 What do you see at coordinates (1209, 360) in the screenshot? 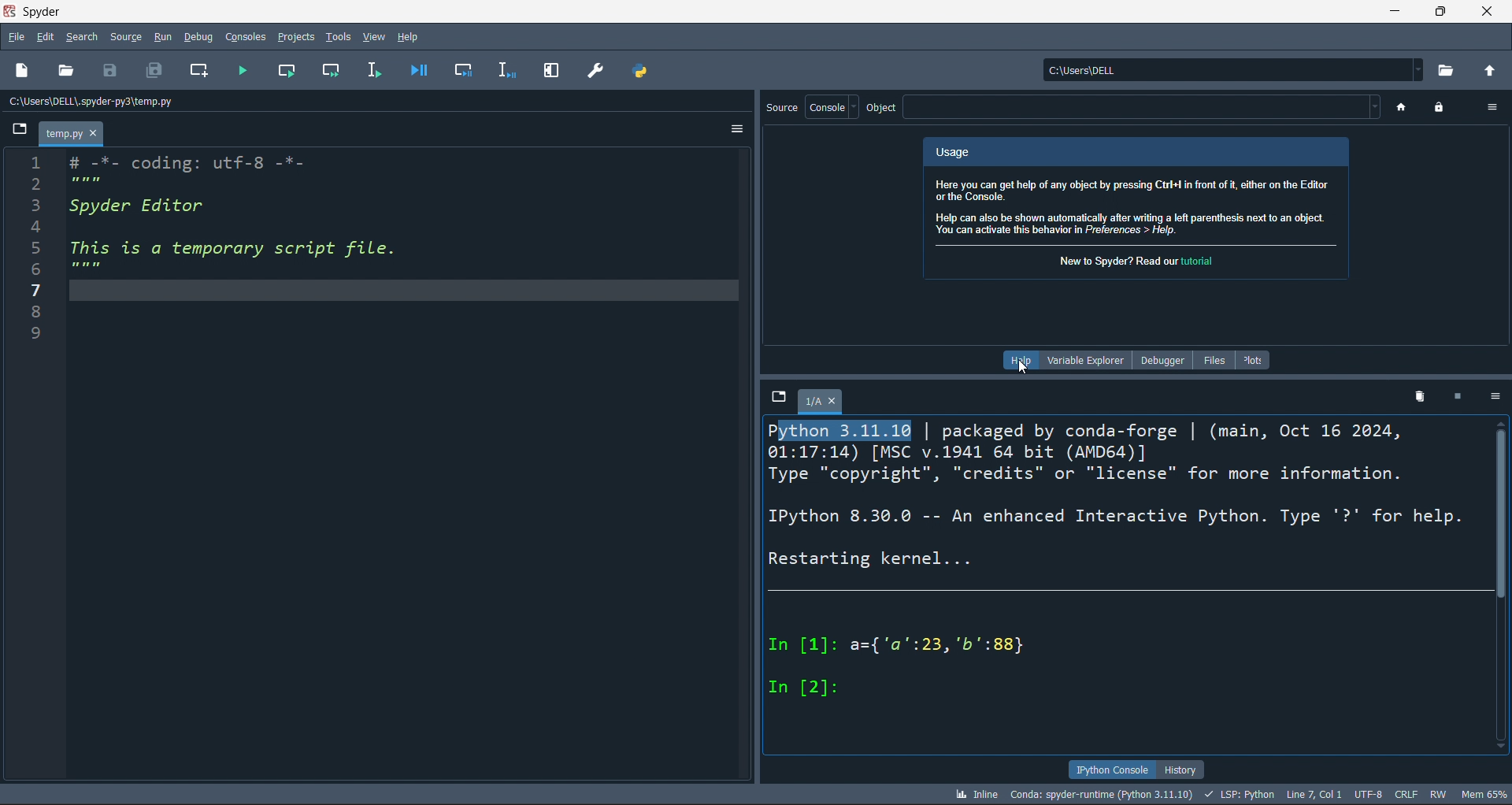
I see `files` at bounding box center [1209, 360].